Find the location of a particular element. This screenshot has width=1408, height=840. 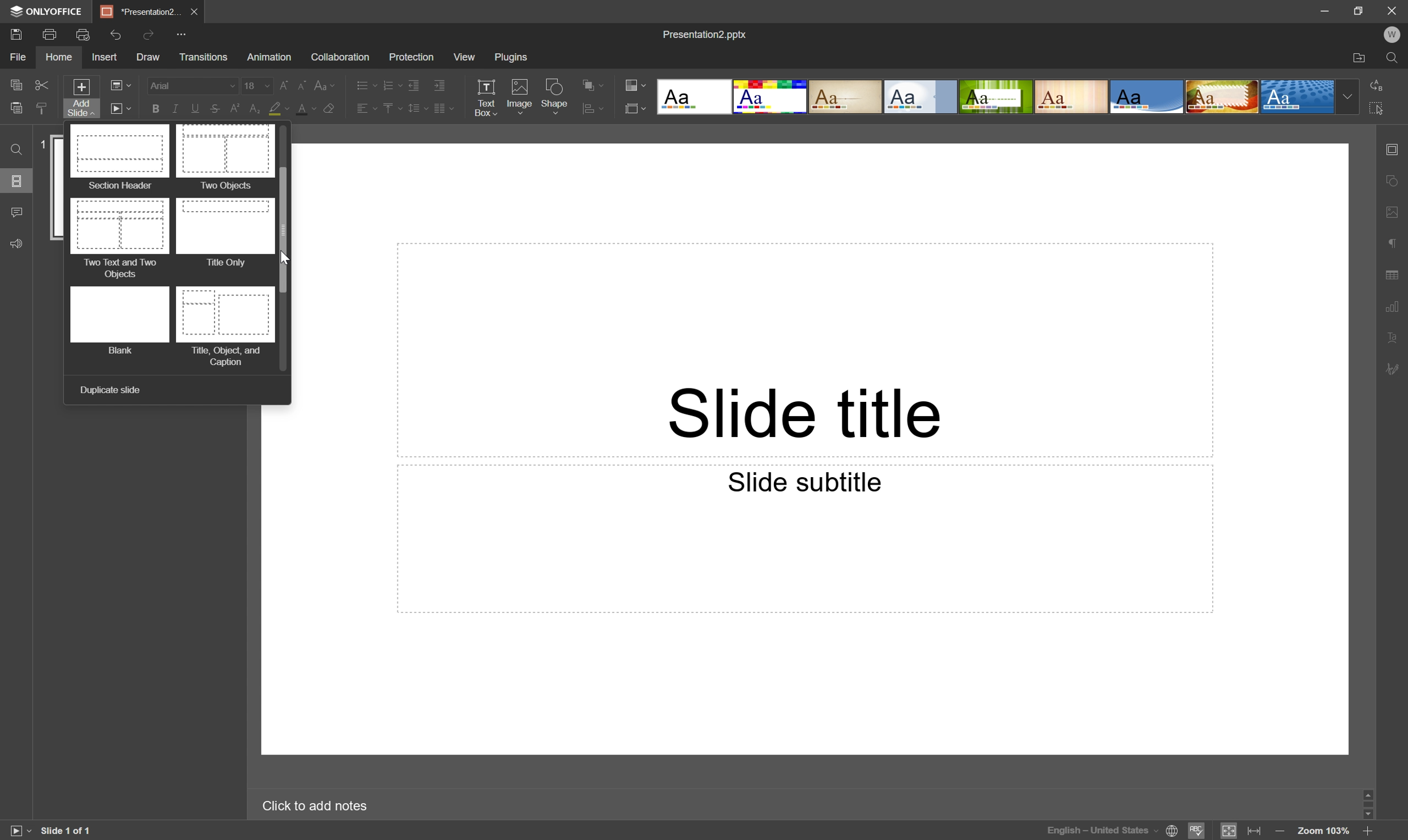

Close is located at coordinates (193, 10).